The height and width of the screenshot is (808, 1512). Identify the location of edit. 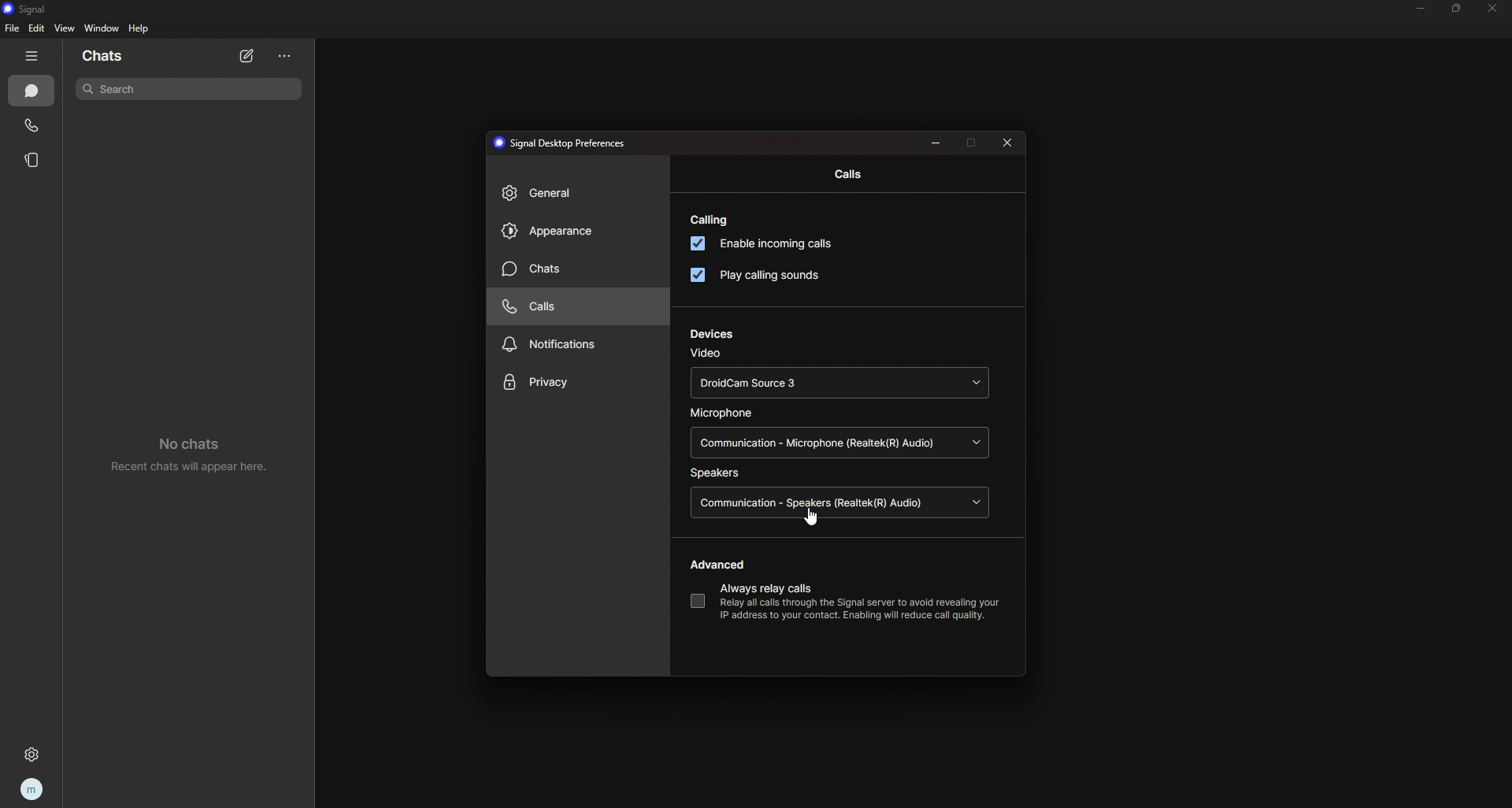
(38, 28).